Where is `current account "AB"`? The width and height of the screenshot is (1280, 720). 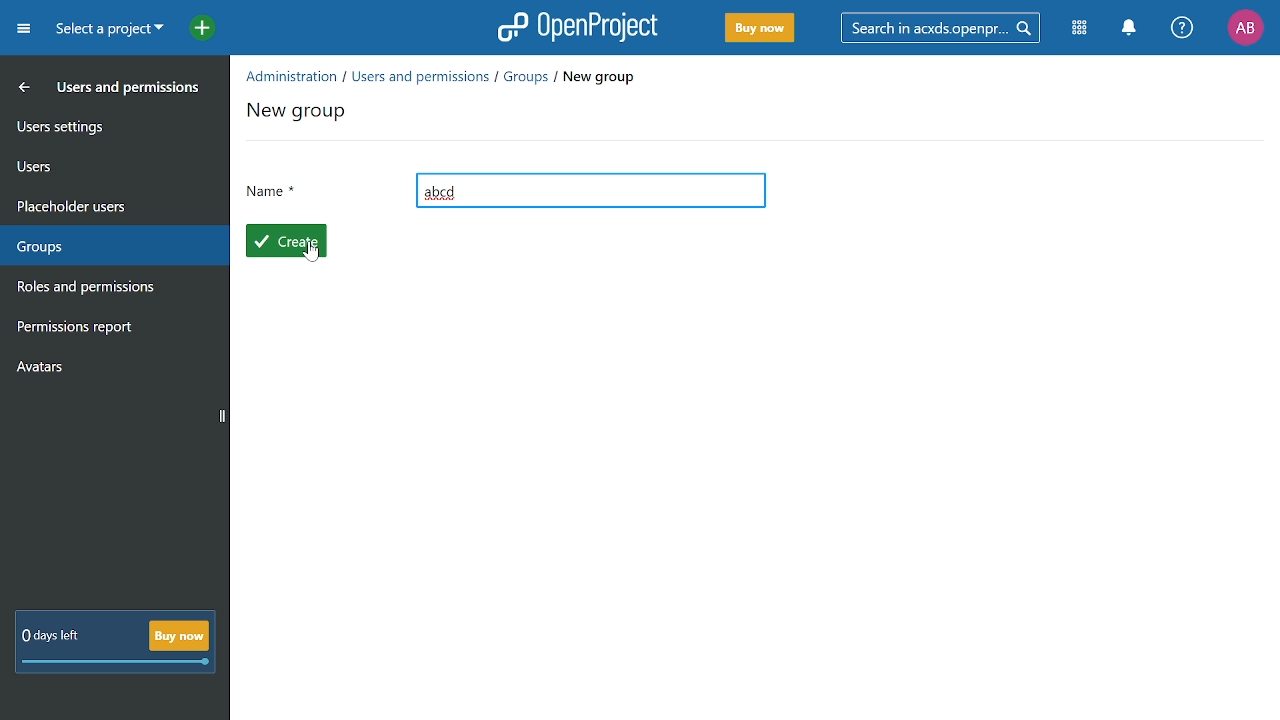 current account "AB" is located at coordinates (1245, 29).